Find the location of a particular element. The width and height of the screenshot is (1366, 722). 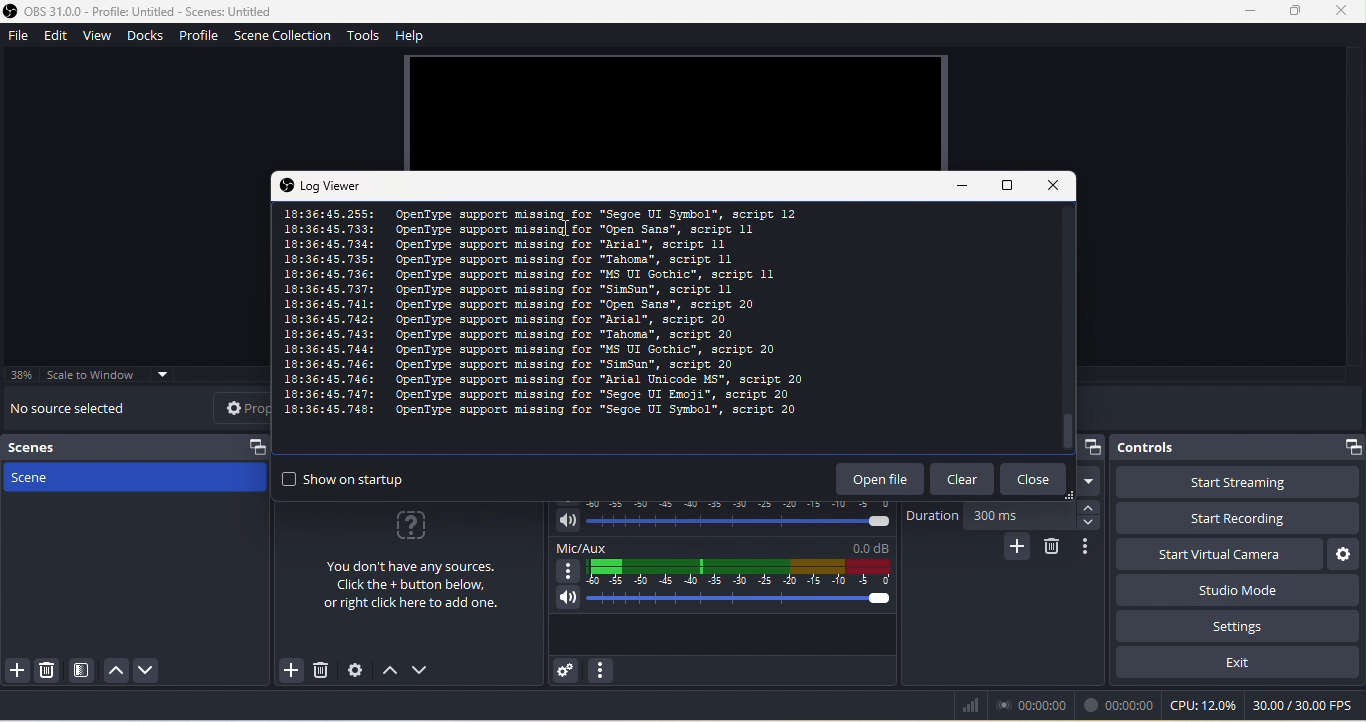

no source selected is located at coordinates (83, 410).